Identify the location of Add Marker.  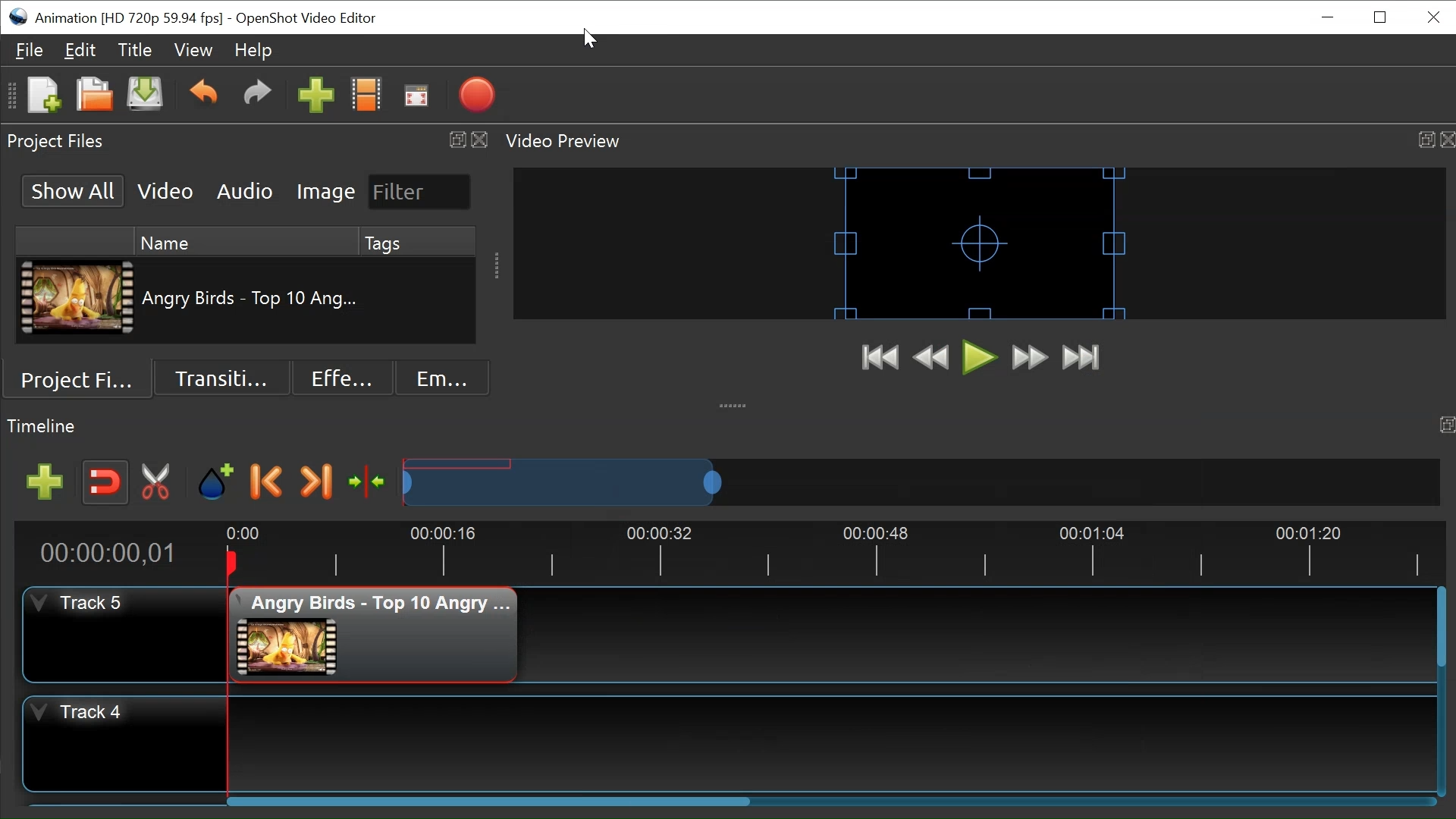
(216, 481).